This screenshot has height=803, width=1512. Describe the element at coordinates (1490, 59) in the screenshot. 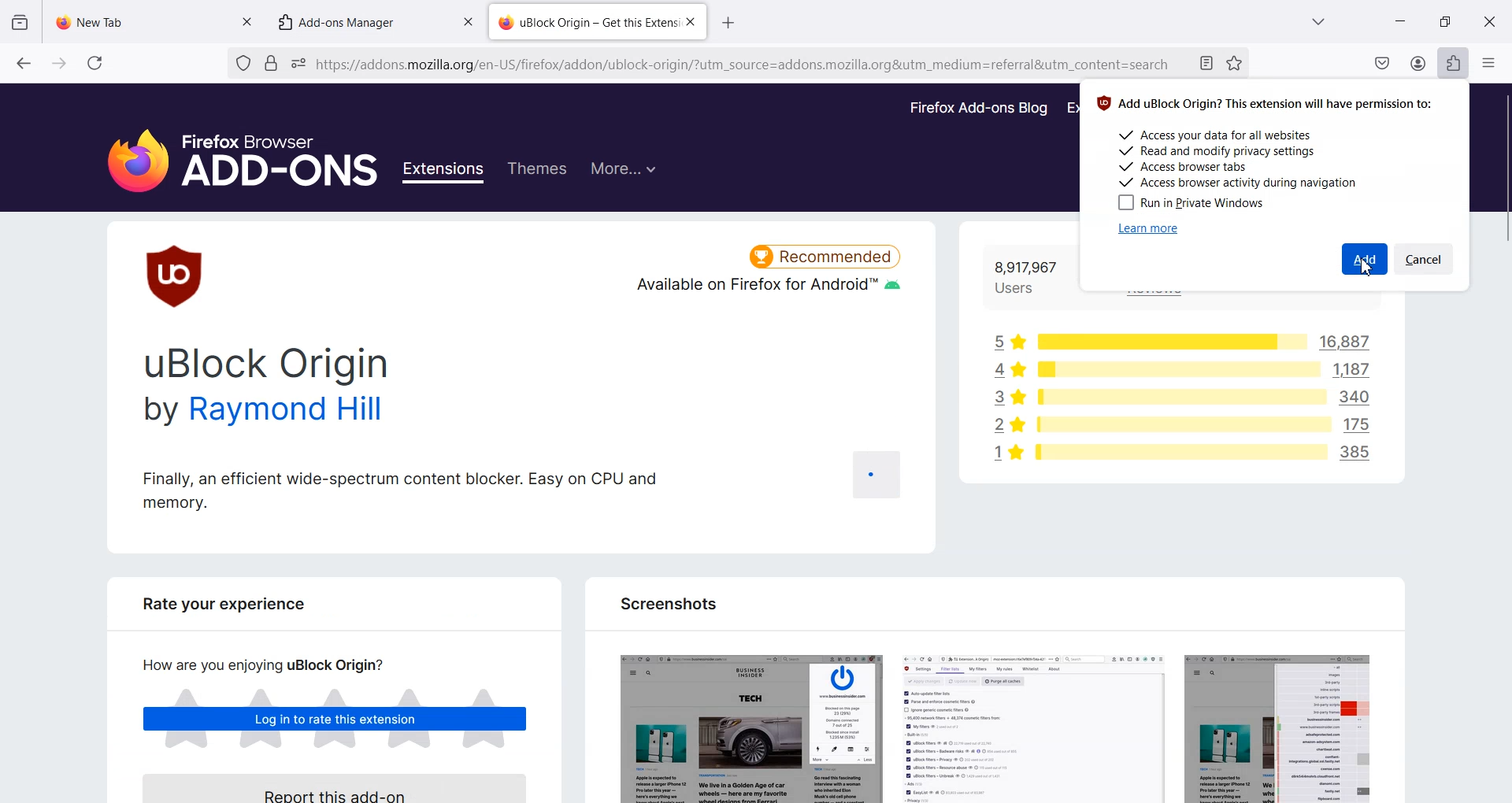

I see `Open Application Menu` at that location.